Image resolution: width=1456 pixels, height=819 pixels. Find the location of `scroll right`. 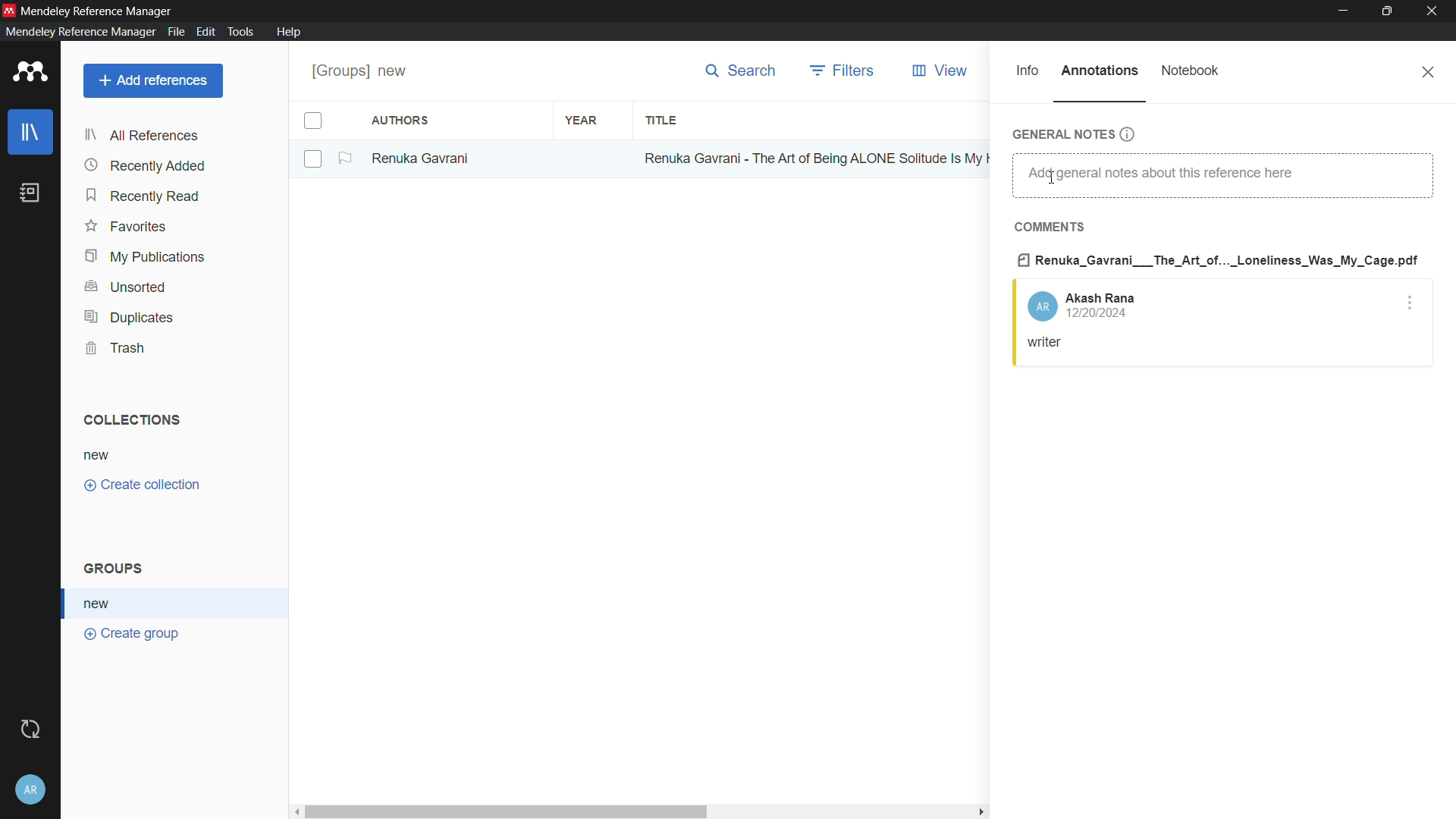

scroll right is located at coordinates (978, 811).